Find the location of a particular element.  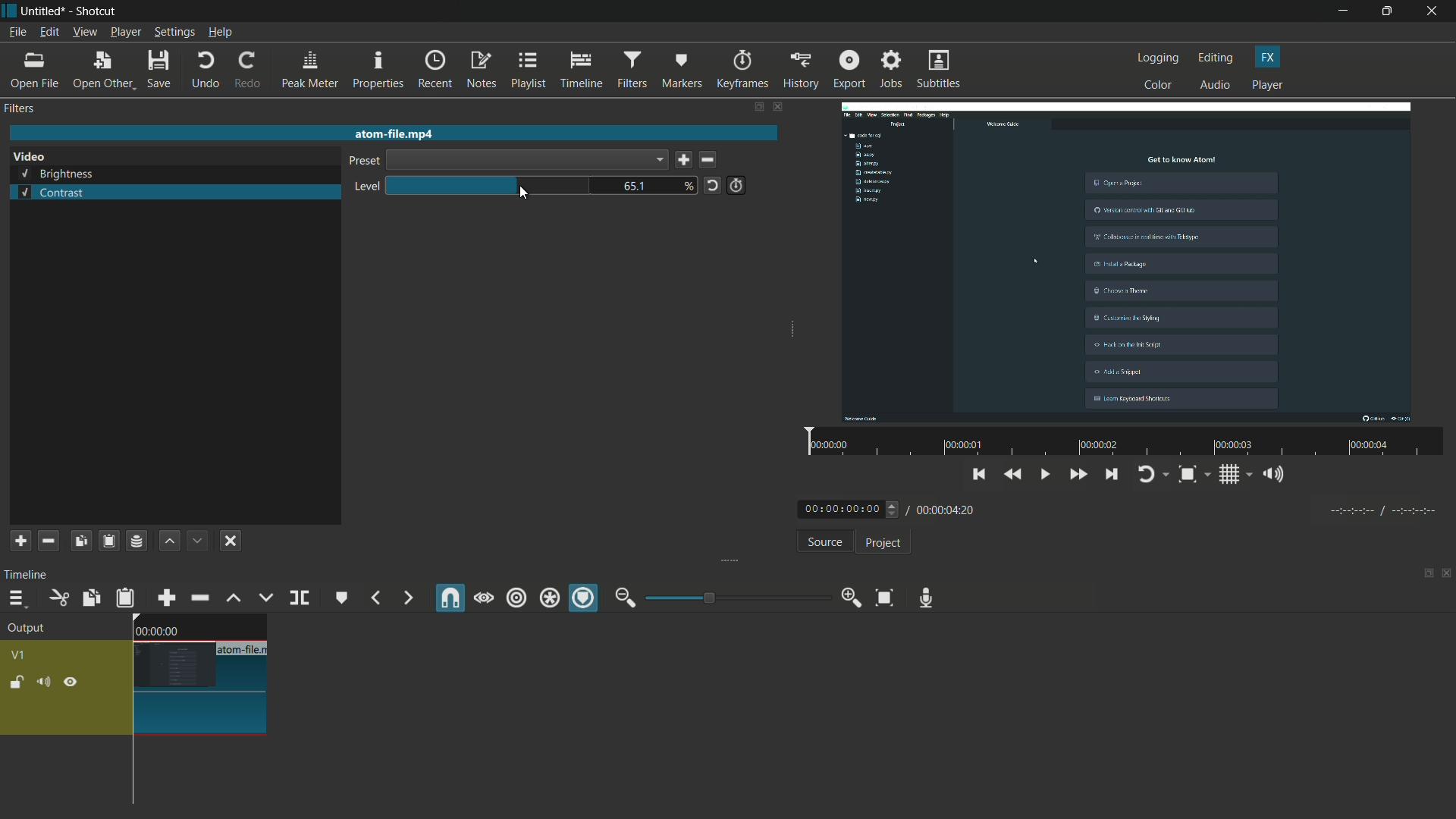

settings menu is located at coordinates (175, 33).